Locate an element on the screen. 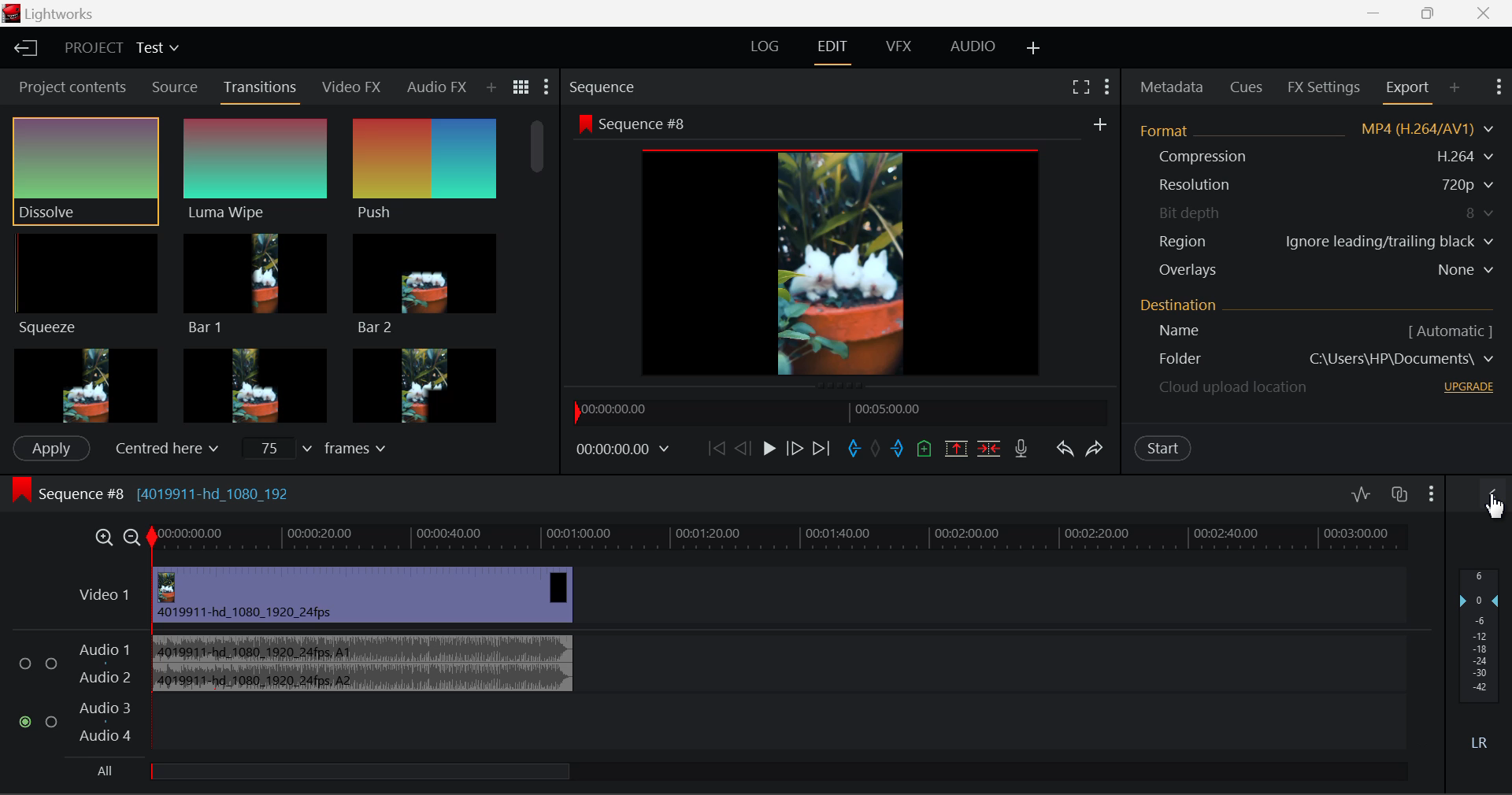 This screenshot has height=795, width=1512. To End is located at coordinates (822, 448).